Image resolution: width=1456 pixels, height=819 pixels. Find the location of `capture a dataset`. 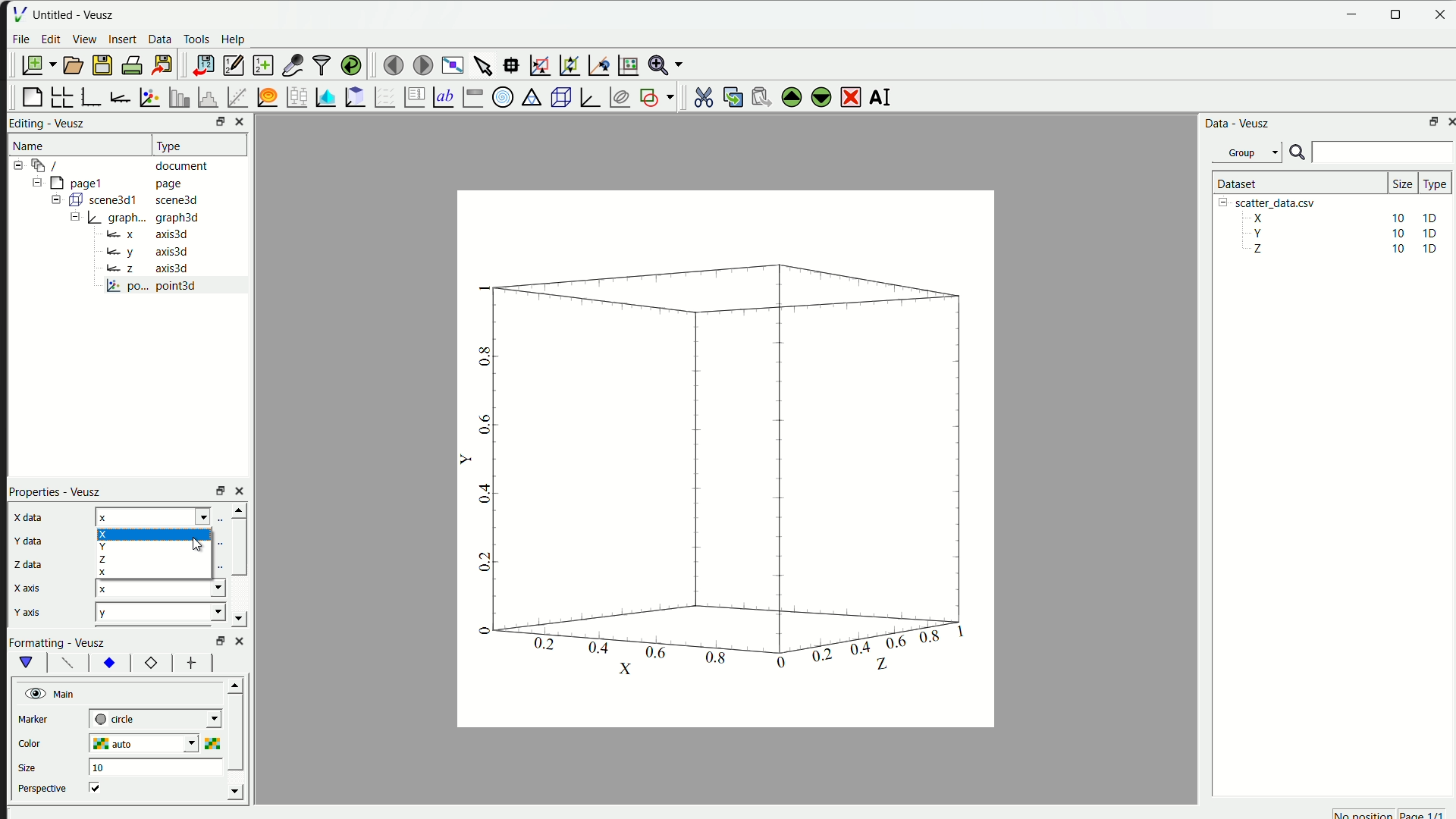

capture a dataset is located at coordinates (292, 63).